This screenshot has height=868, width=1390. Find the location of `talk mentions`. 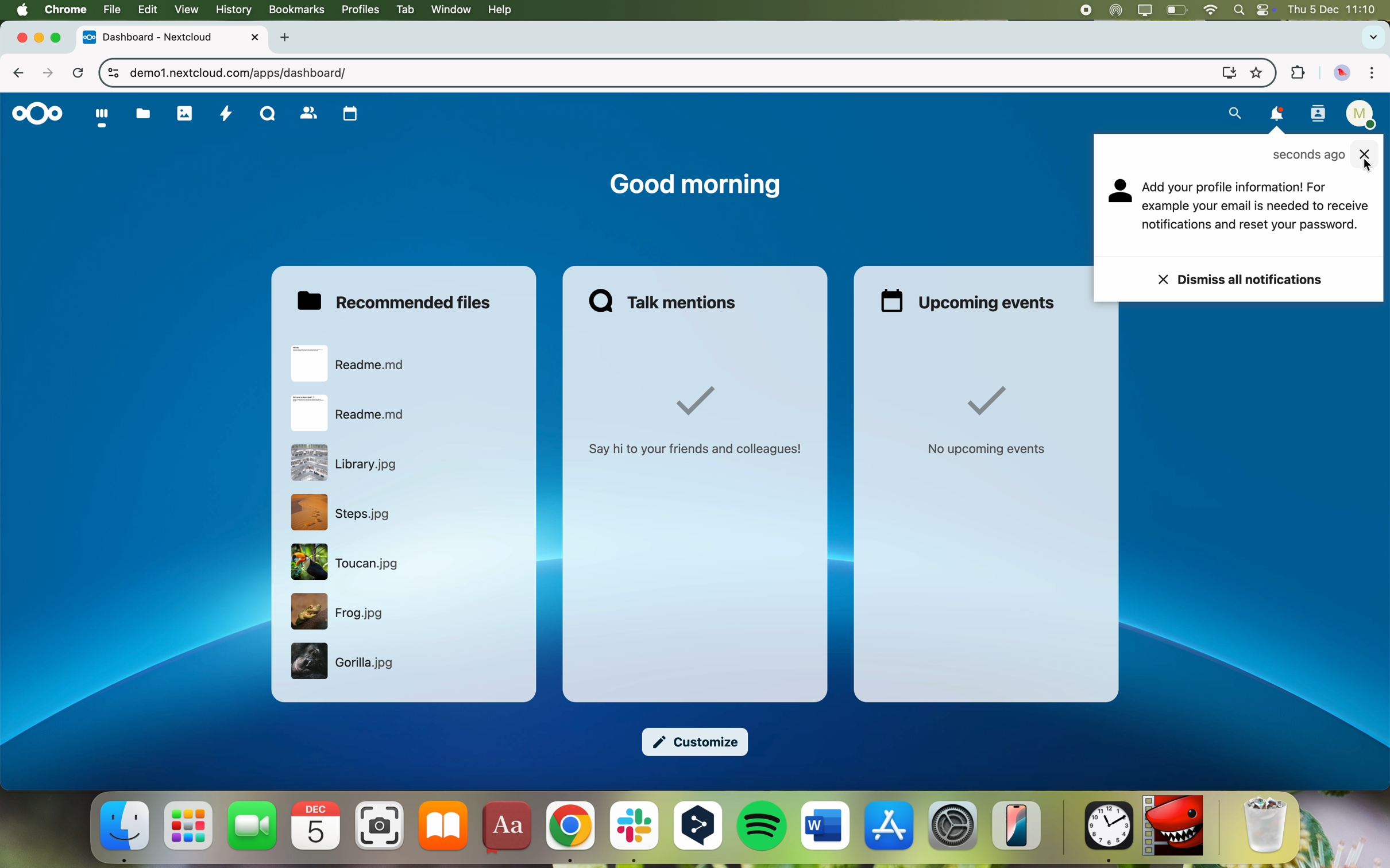

talk mentions is located at coordinates (667, 300).